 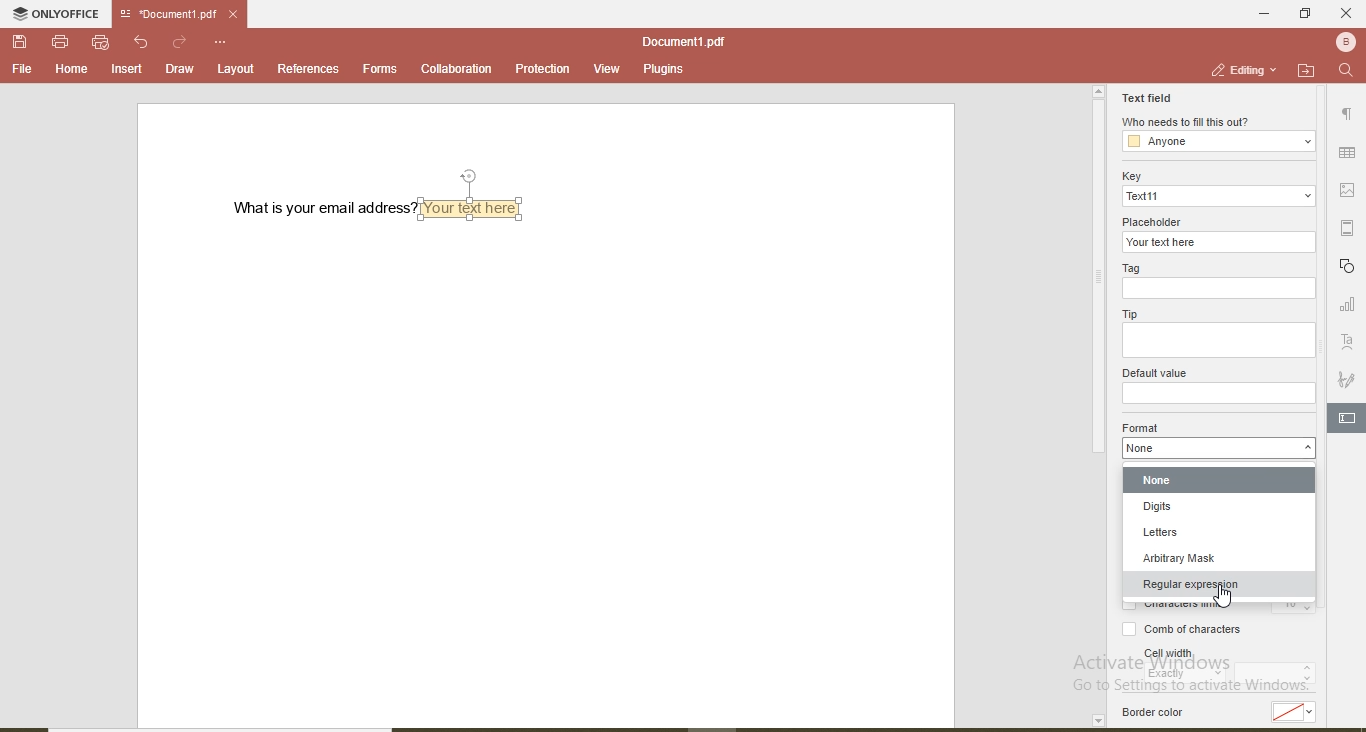 What do you see at coordinates (1097, 721) in the screenshot?
I see `page down` at bounding box center [1097, 721].